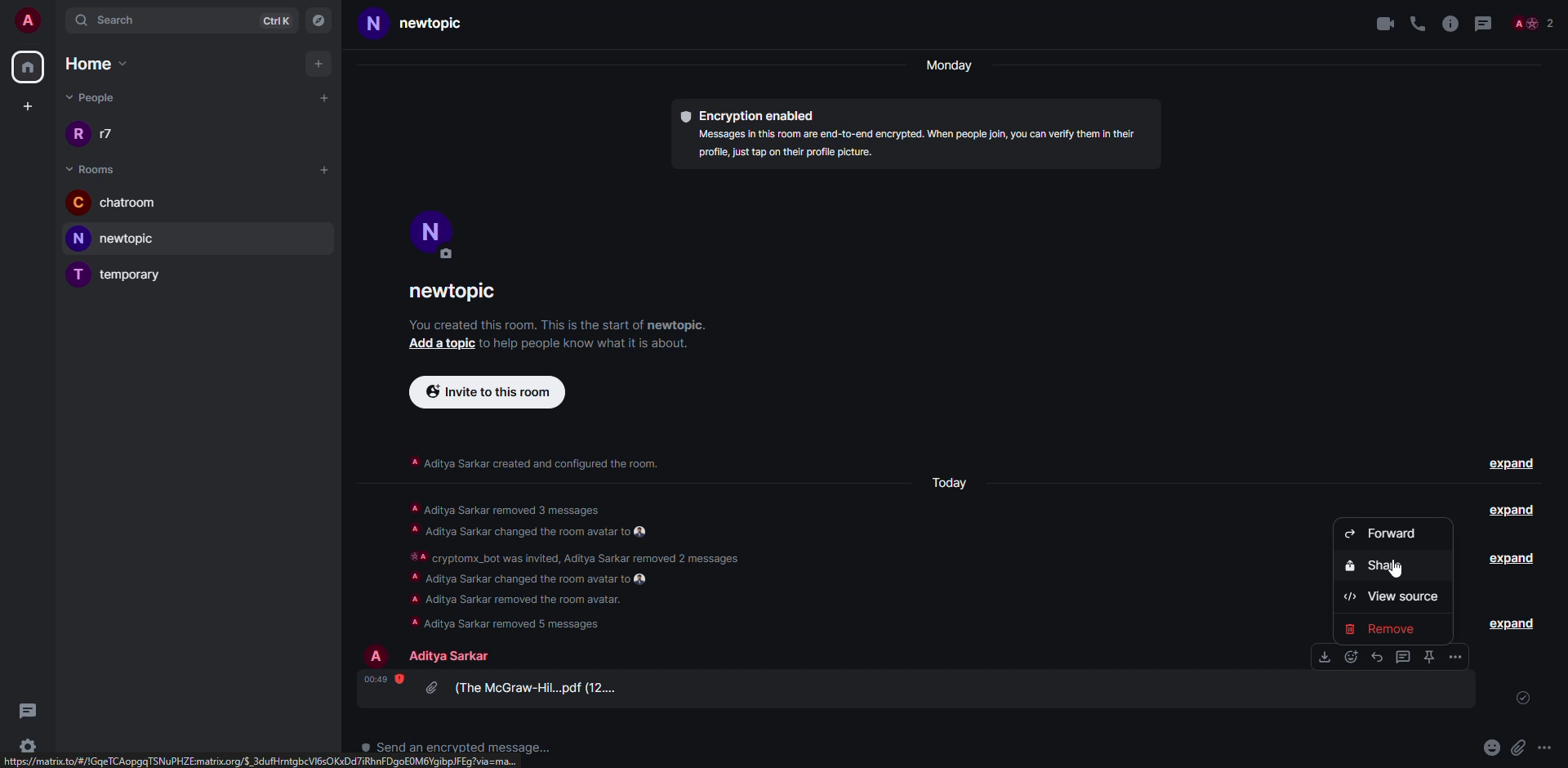 The width and height of the screenshot is (1568, 768). I want to click on threads, so click(1481, 23).